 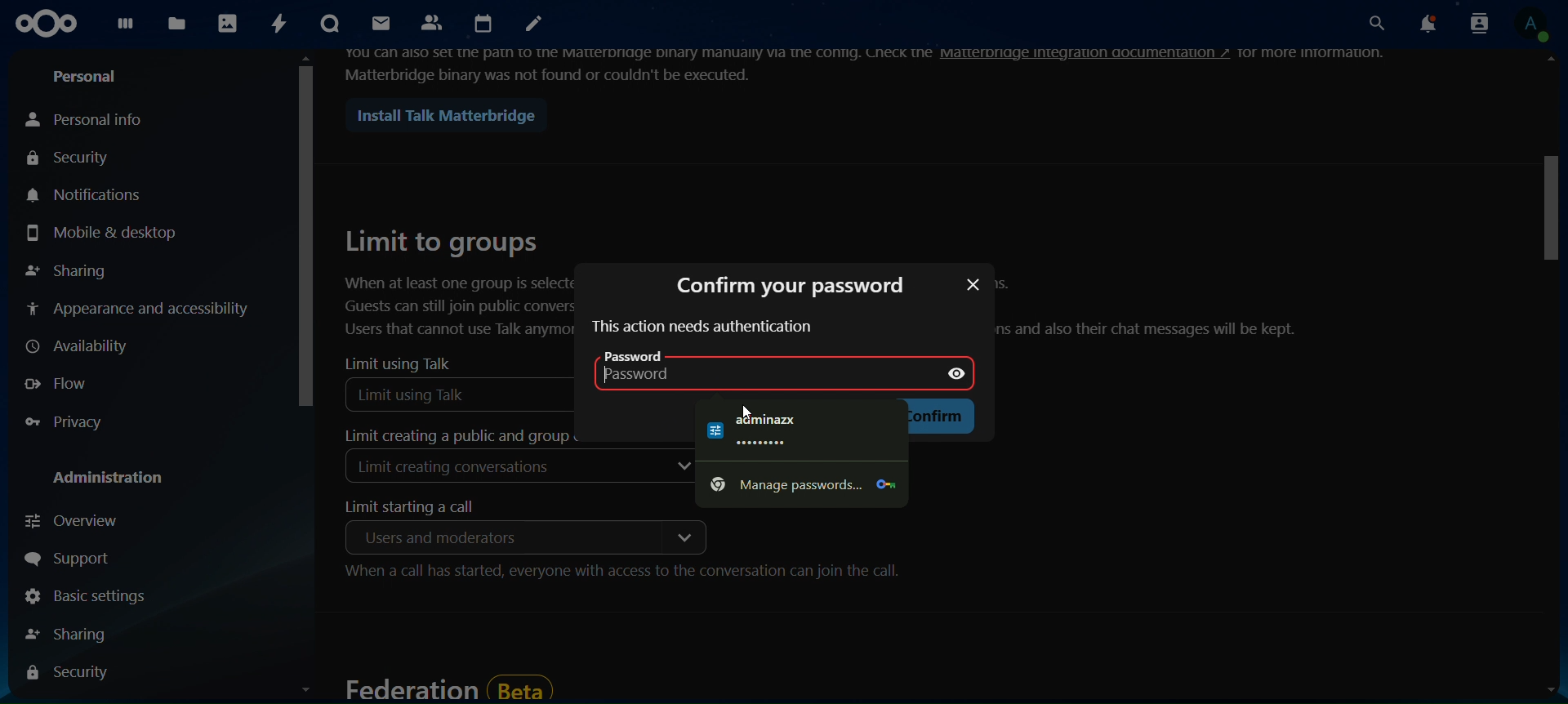 I want to click on mobile & desktop, so click(x=102, y=234).